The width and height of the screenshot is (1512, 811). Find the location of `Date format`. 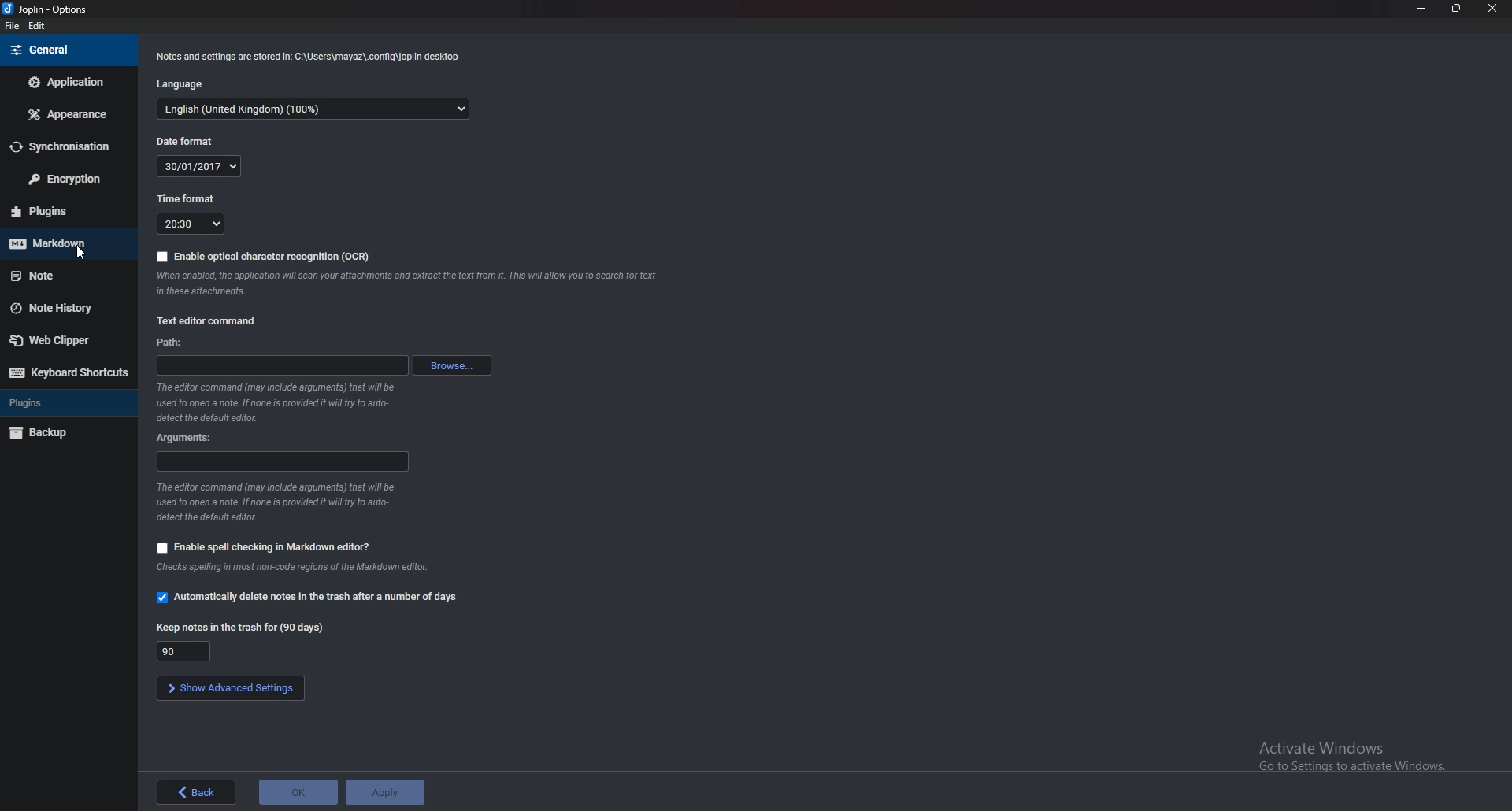

Date format is located at coordinates (188, 142).